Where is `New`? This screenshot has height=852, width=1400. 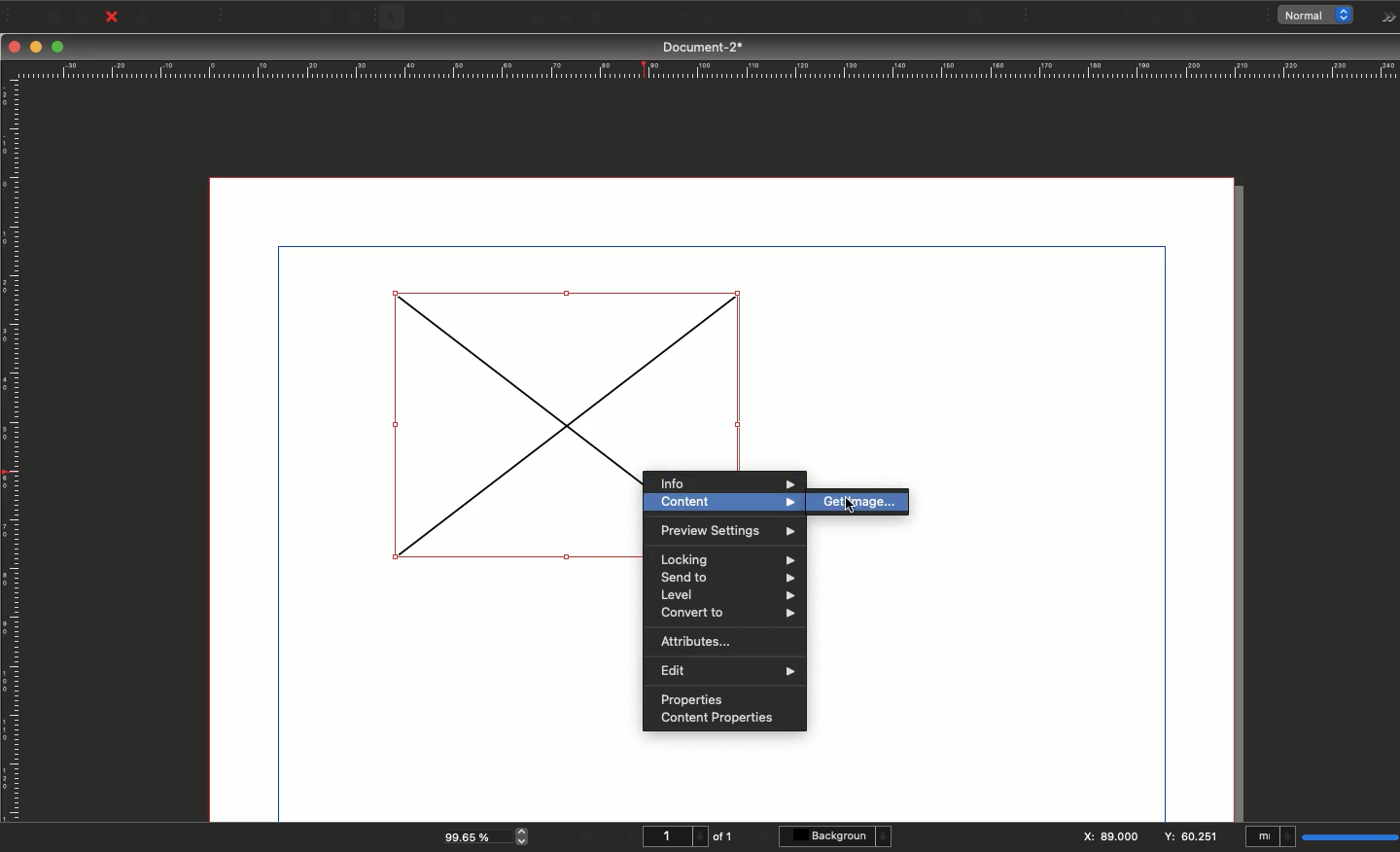 New is located at coordinates (21, 15).